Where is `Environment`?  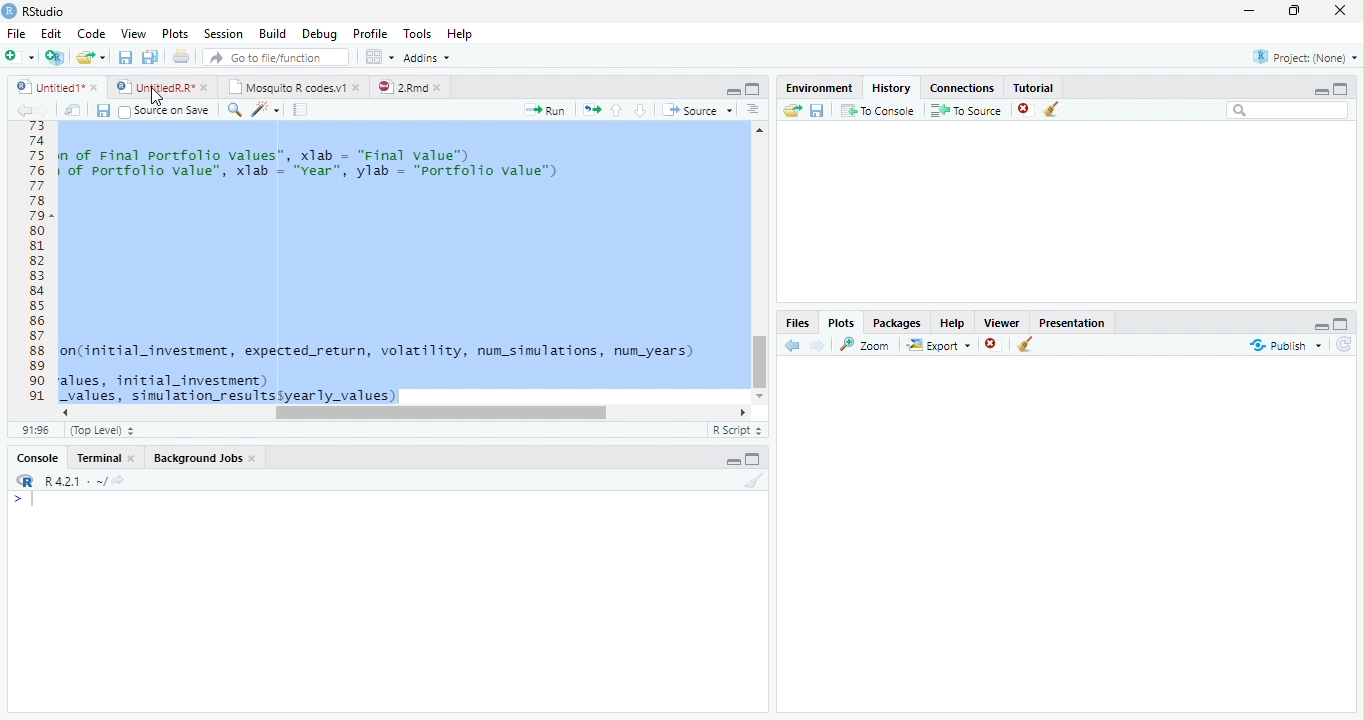 Environment is located at coordinates (819, 85).